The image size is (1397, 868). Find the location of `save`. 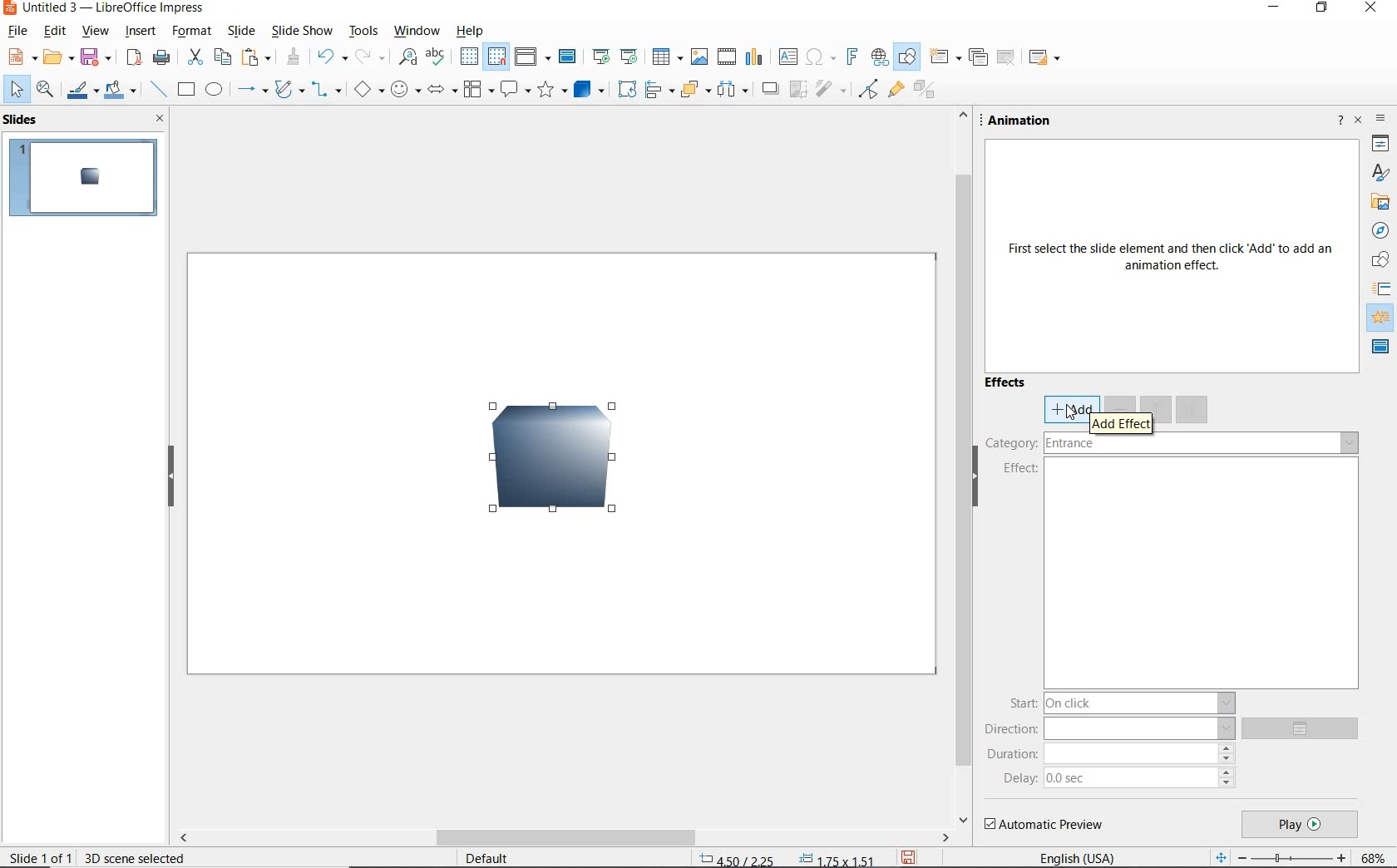

save is located at coordinates (99, 56).